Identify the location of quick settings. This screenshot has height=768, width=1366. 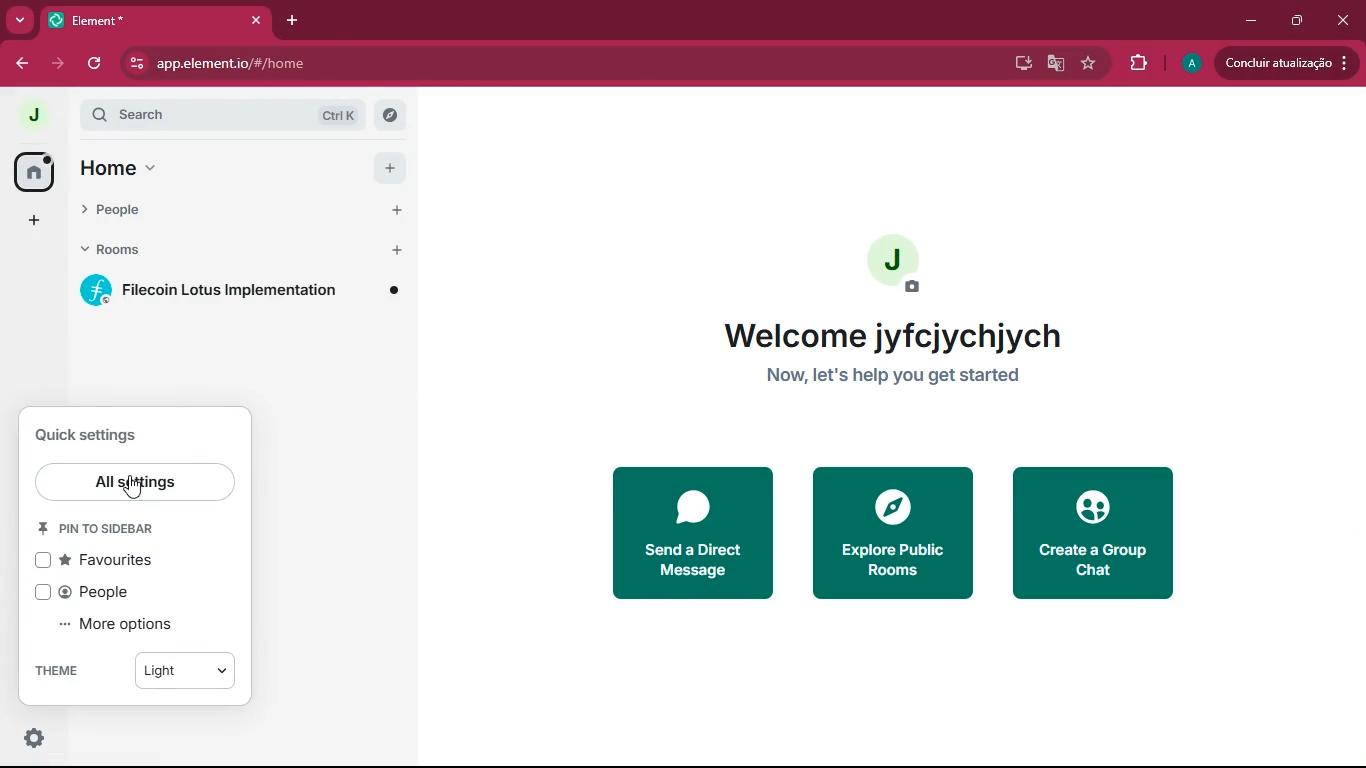
(32, 740).